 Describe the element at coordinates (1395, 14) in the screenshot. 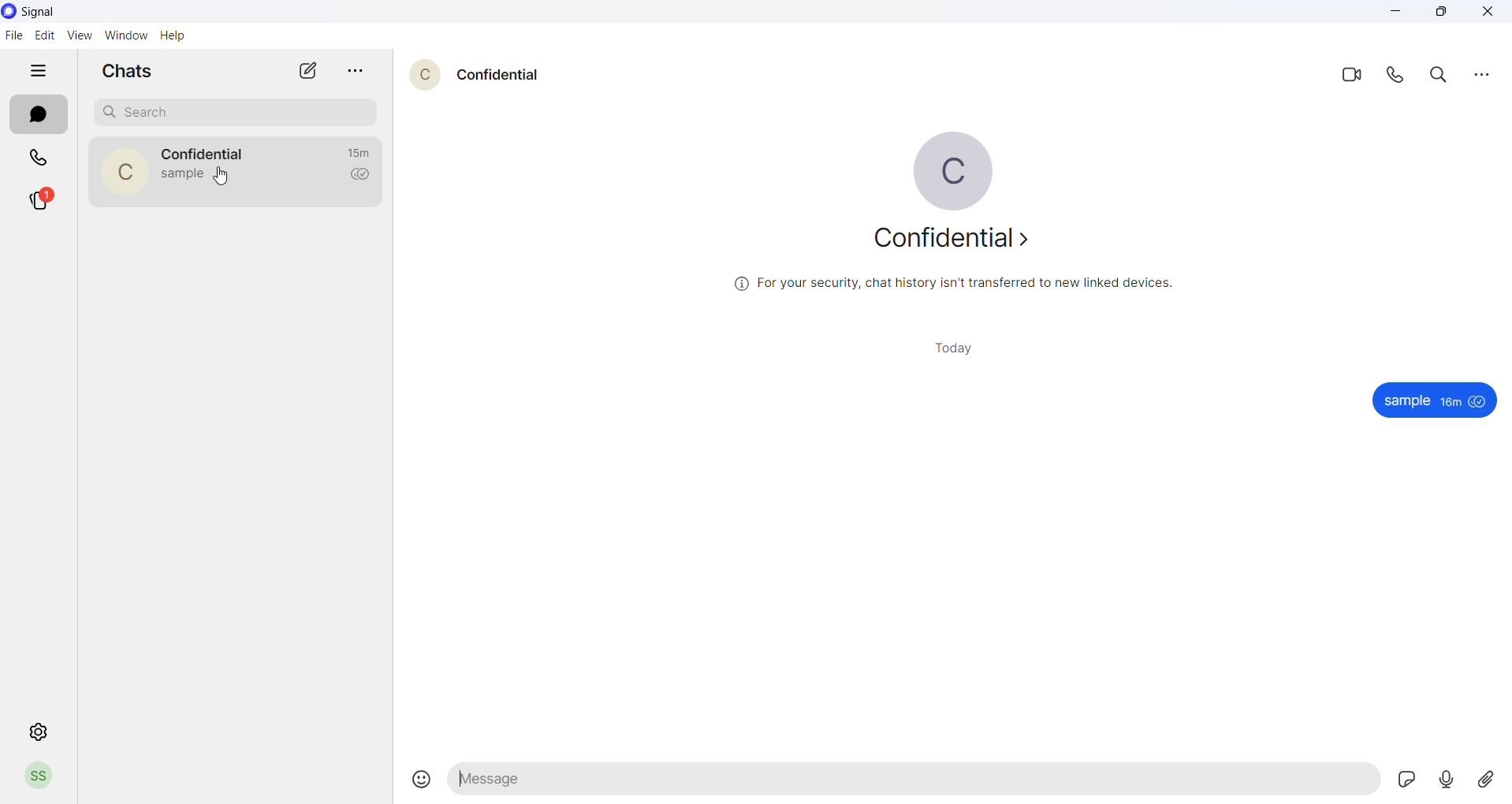

I see `minimize` at that location.